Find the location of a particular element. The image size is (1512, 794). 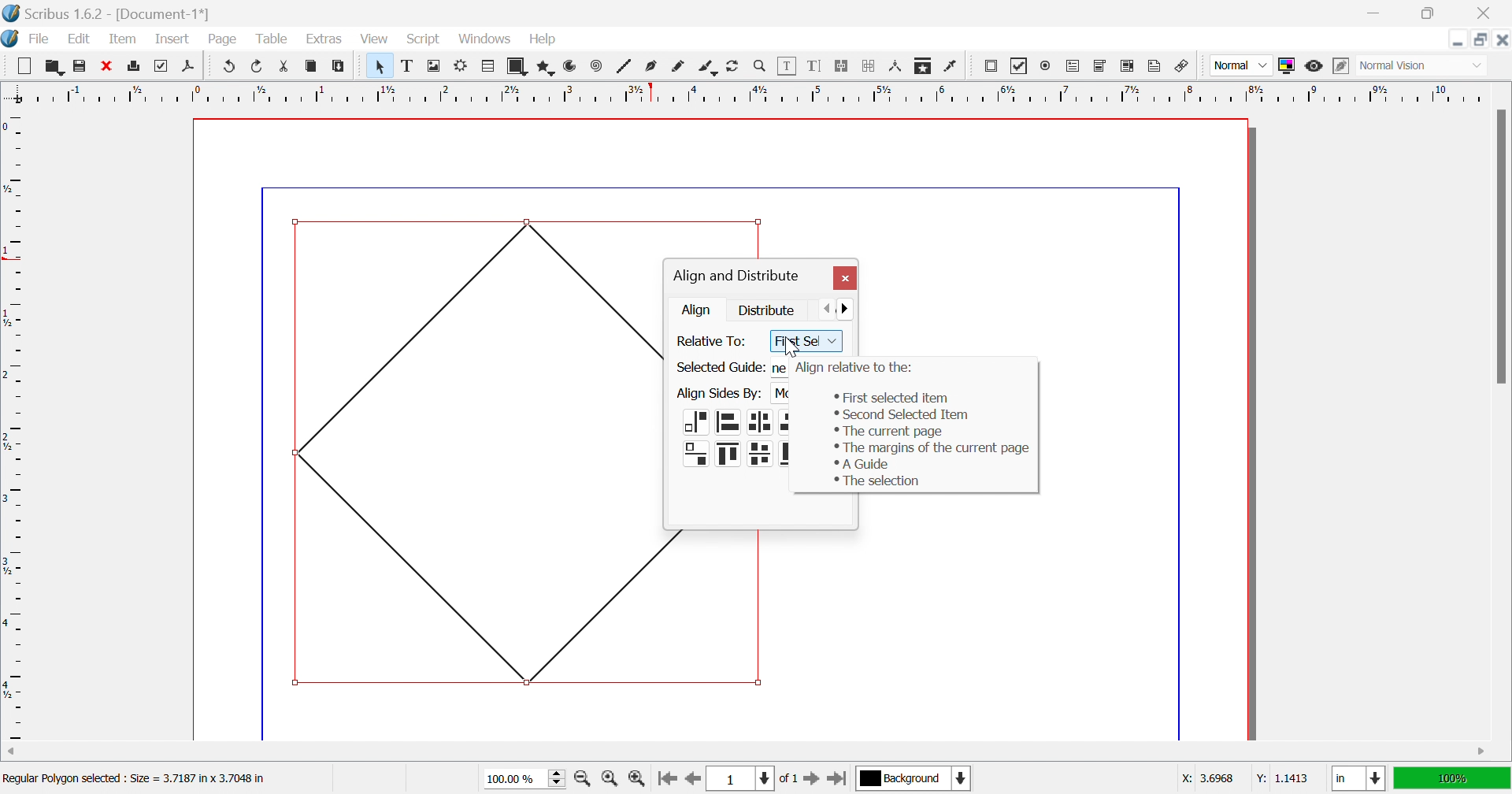

Undo is located at coordinates (230, 66).